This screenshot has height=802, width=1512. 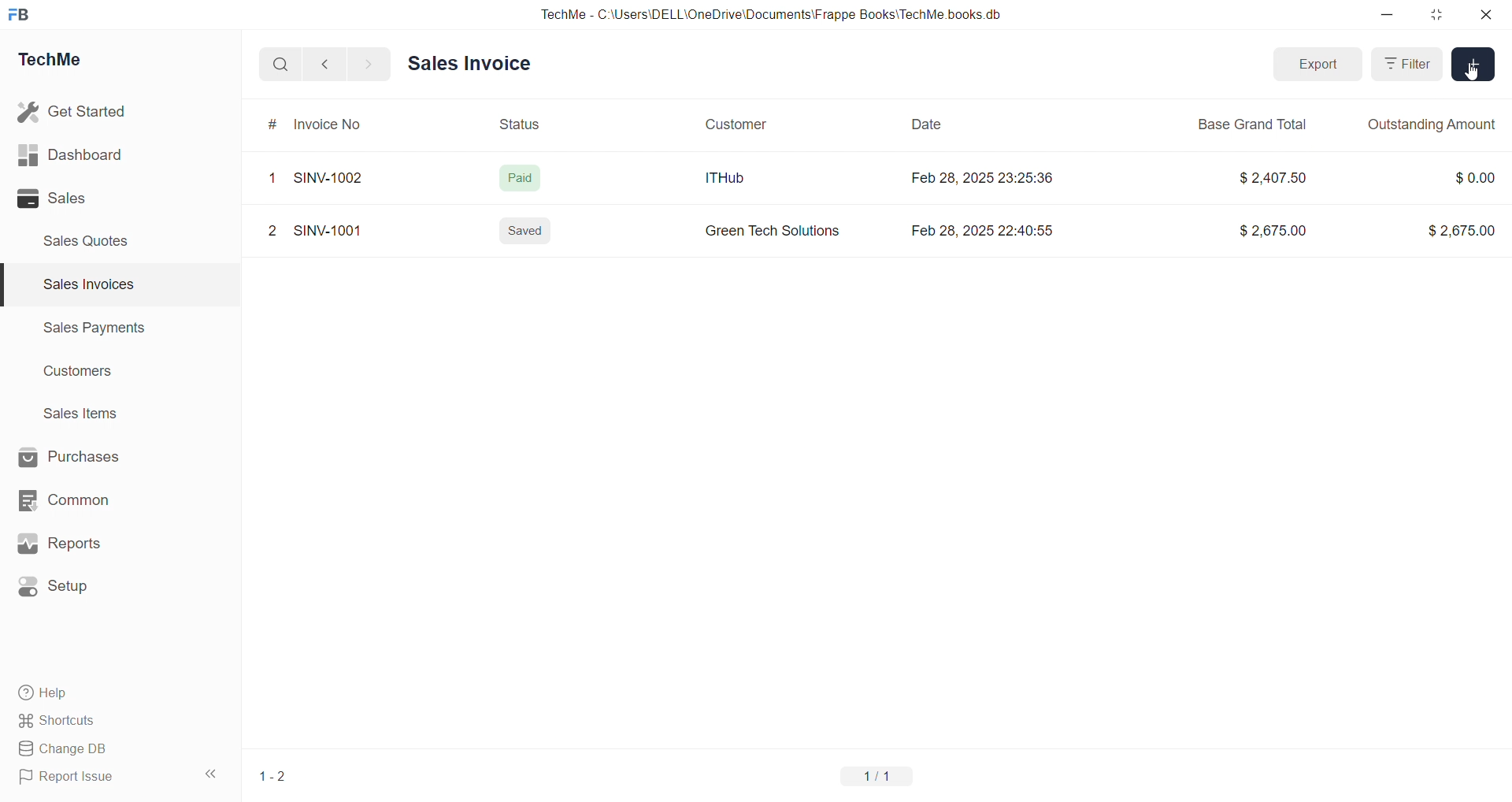 What do you see at coordinates (1315, 65) in the screenshot?
I see `Export` at bounding box center [1315, 65].